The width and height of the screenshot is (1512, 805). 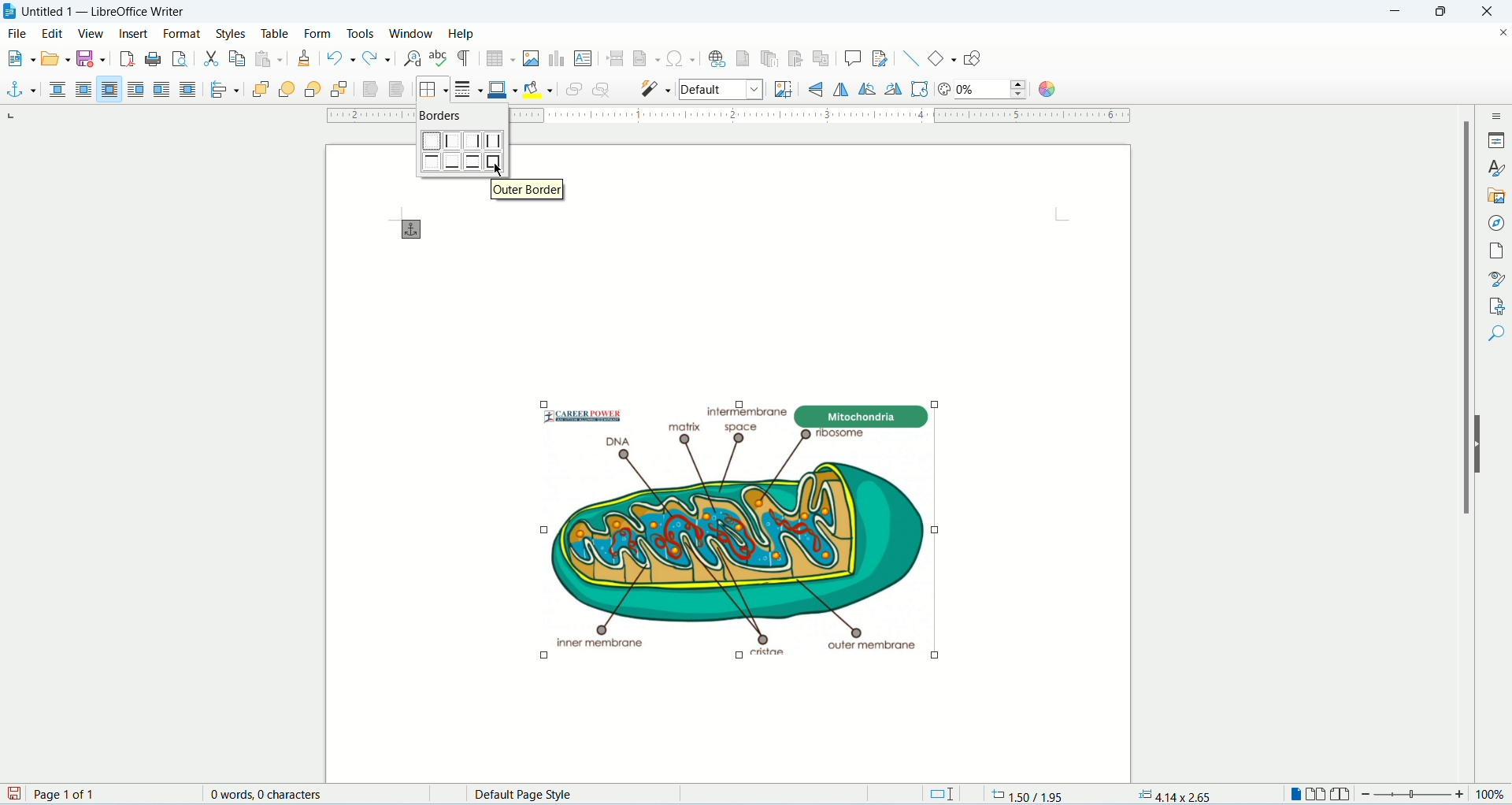 I want to click on to background, so click(x=398, y=91).